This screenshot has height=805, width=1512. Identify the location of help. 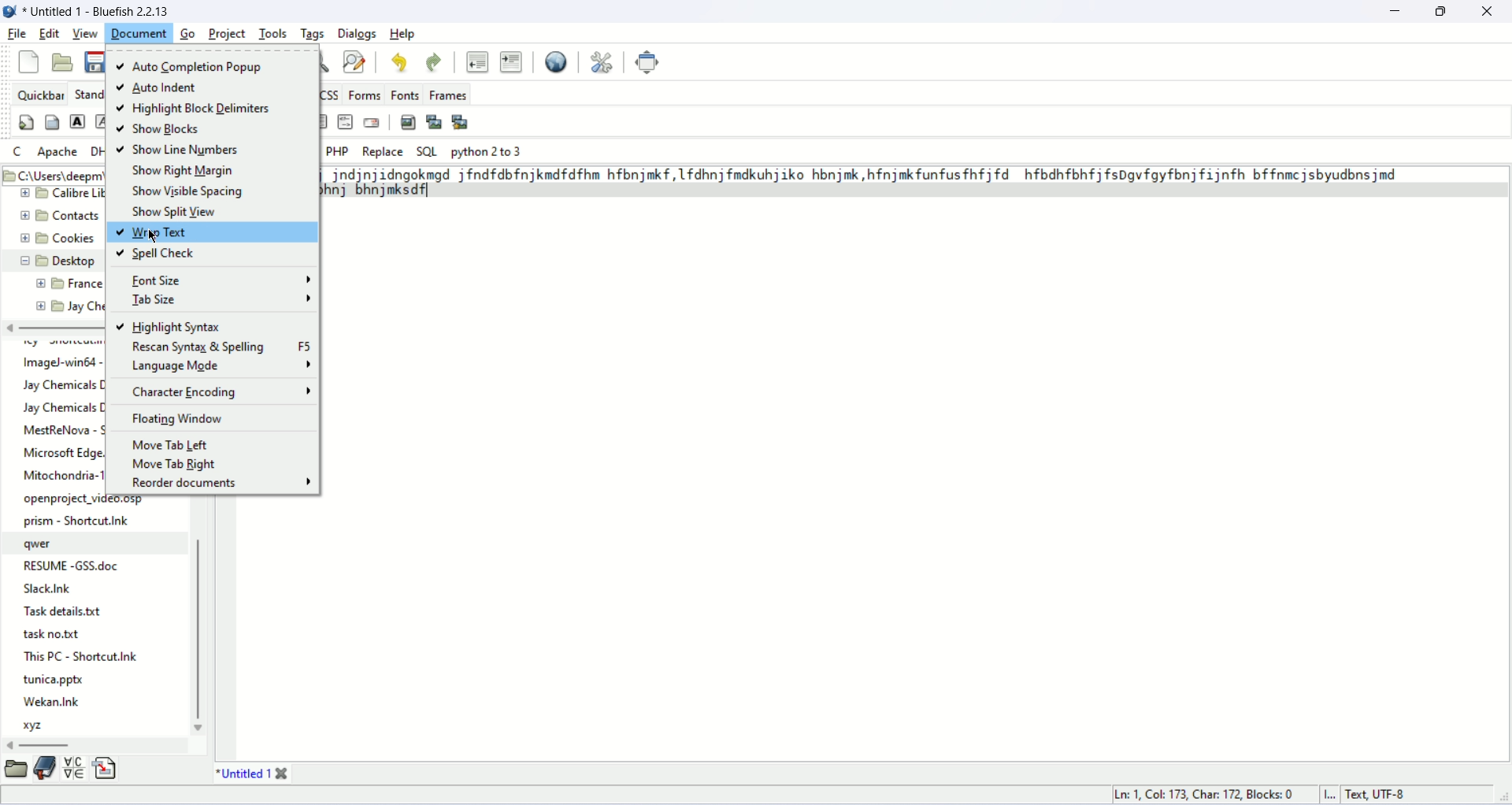
(405, 34).